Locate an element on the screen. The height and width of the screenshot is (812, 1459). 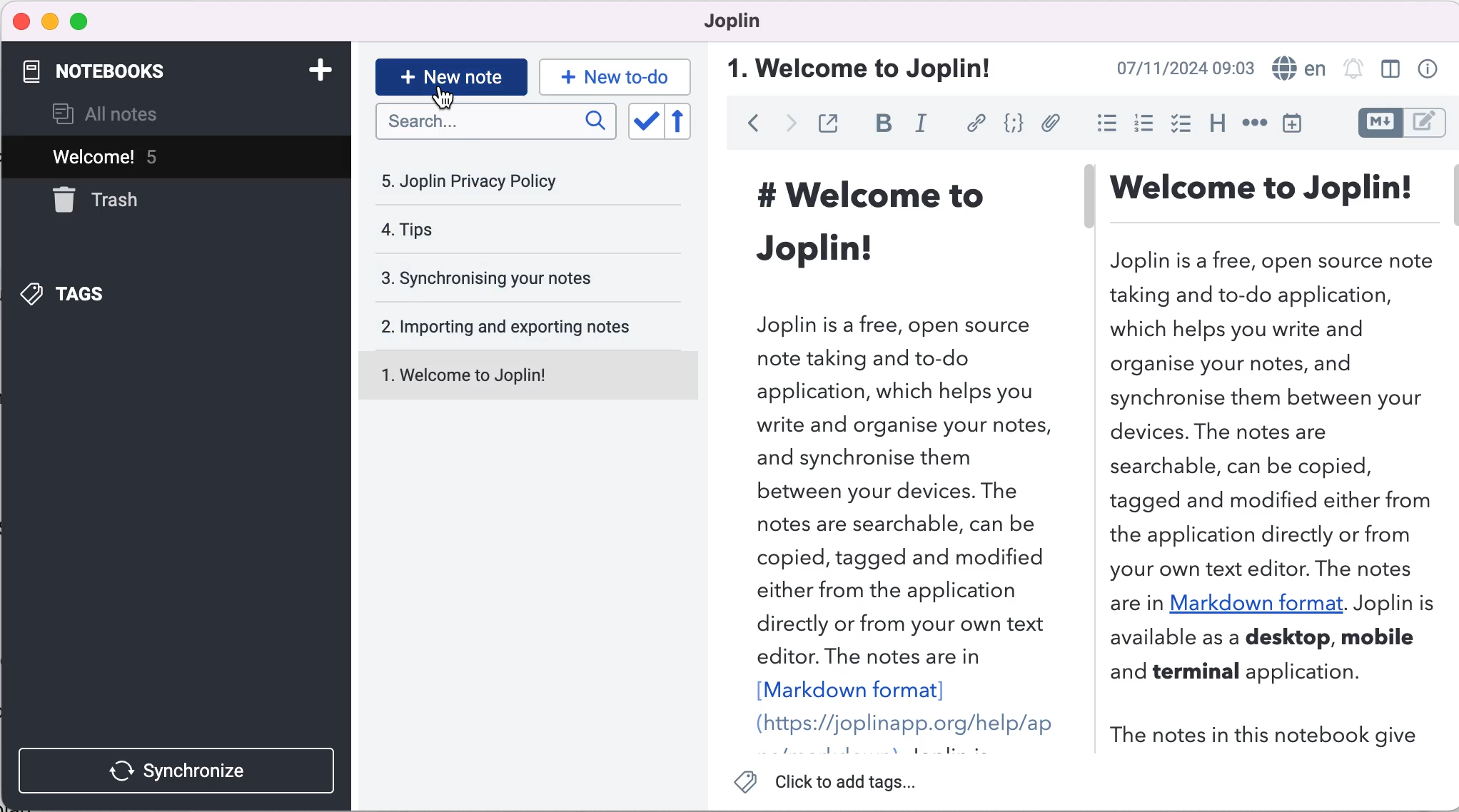
trash is located at coordinates (141, 202).